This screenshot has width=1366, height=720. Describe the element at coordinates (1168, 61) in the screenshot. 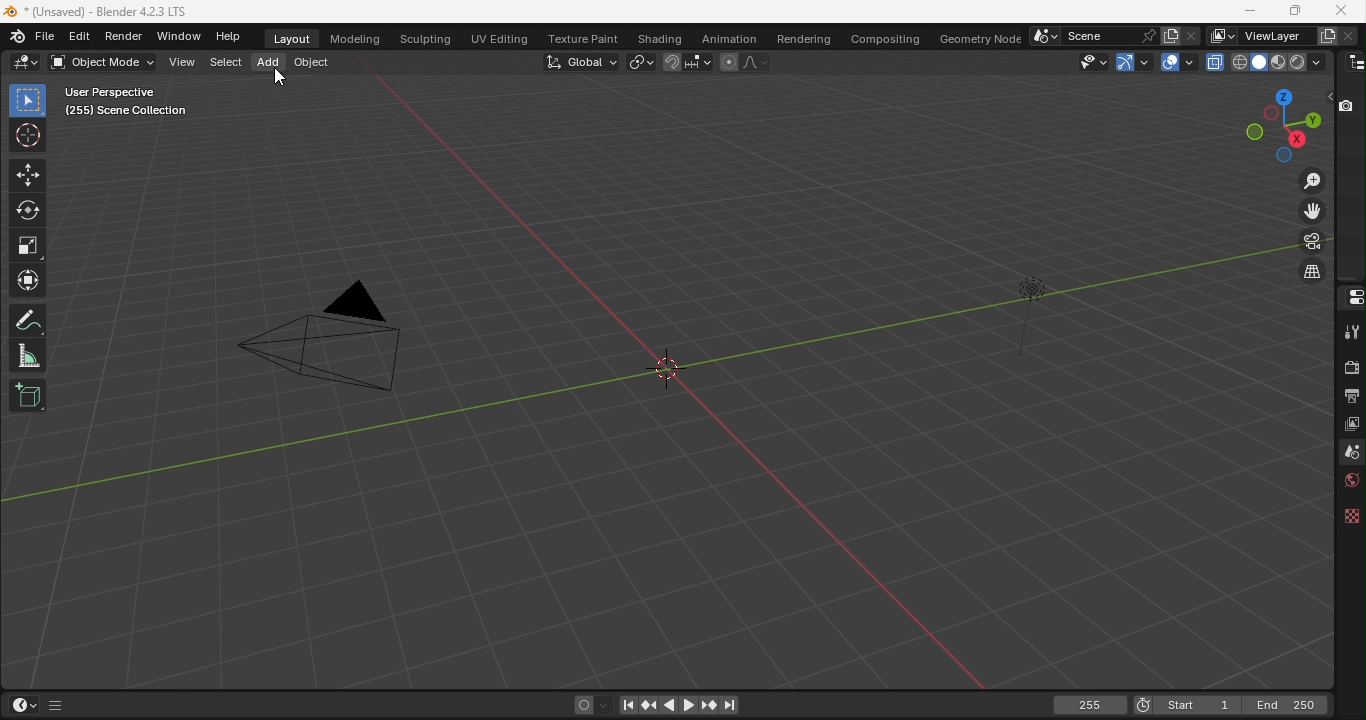

I see `Show overlays` at that location.